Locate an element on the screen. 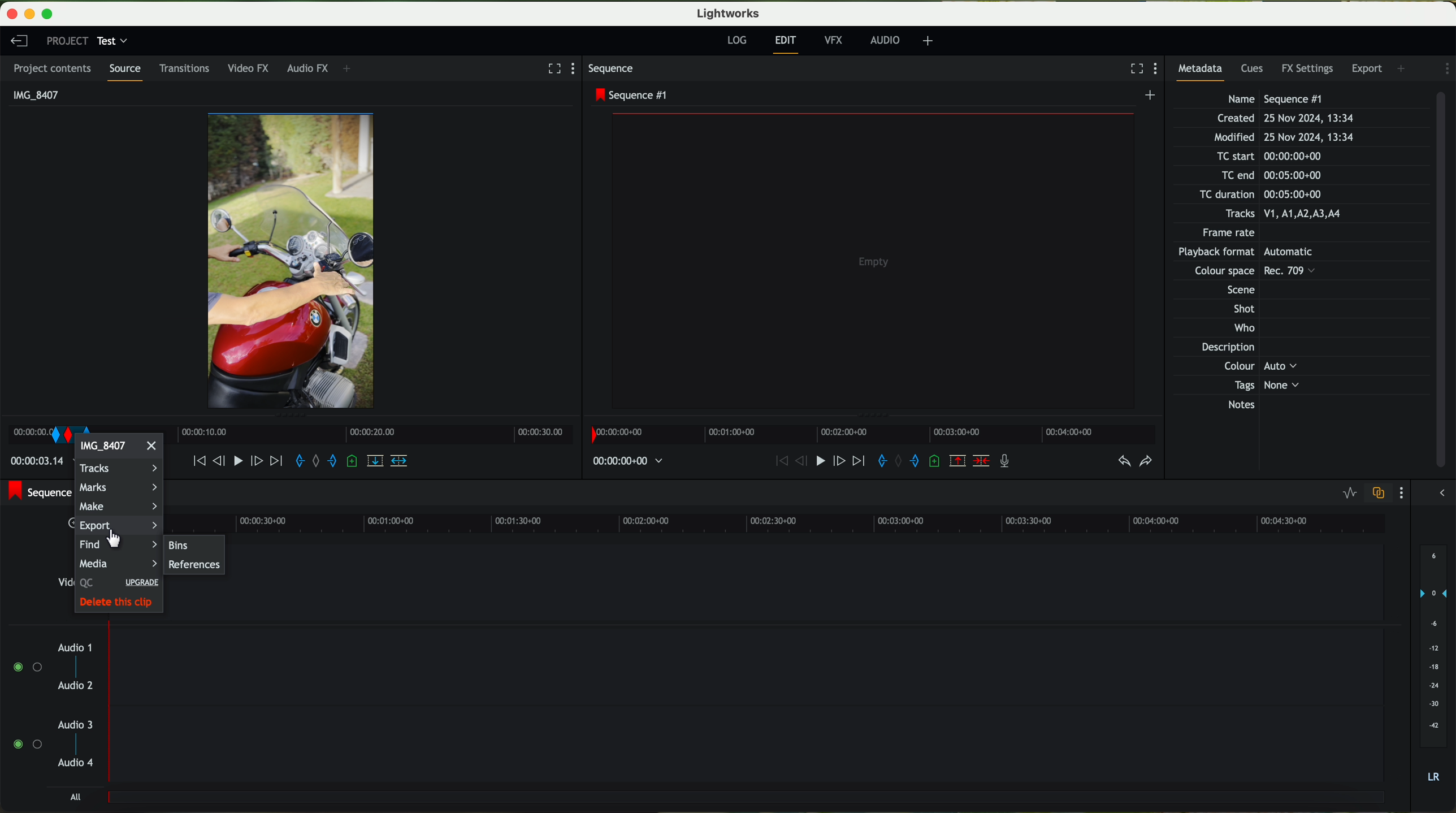 The height and width of the screenshot is (813, 1456). sequence is located at coordinates (615, 70).